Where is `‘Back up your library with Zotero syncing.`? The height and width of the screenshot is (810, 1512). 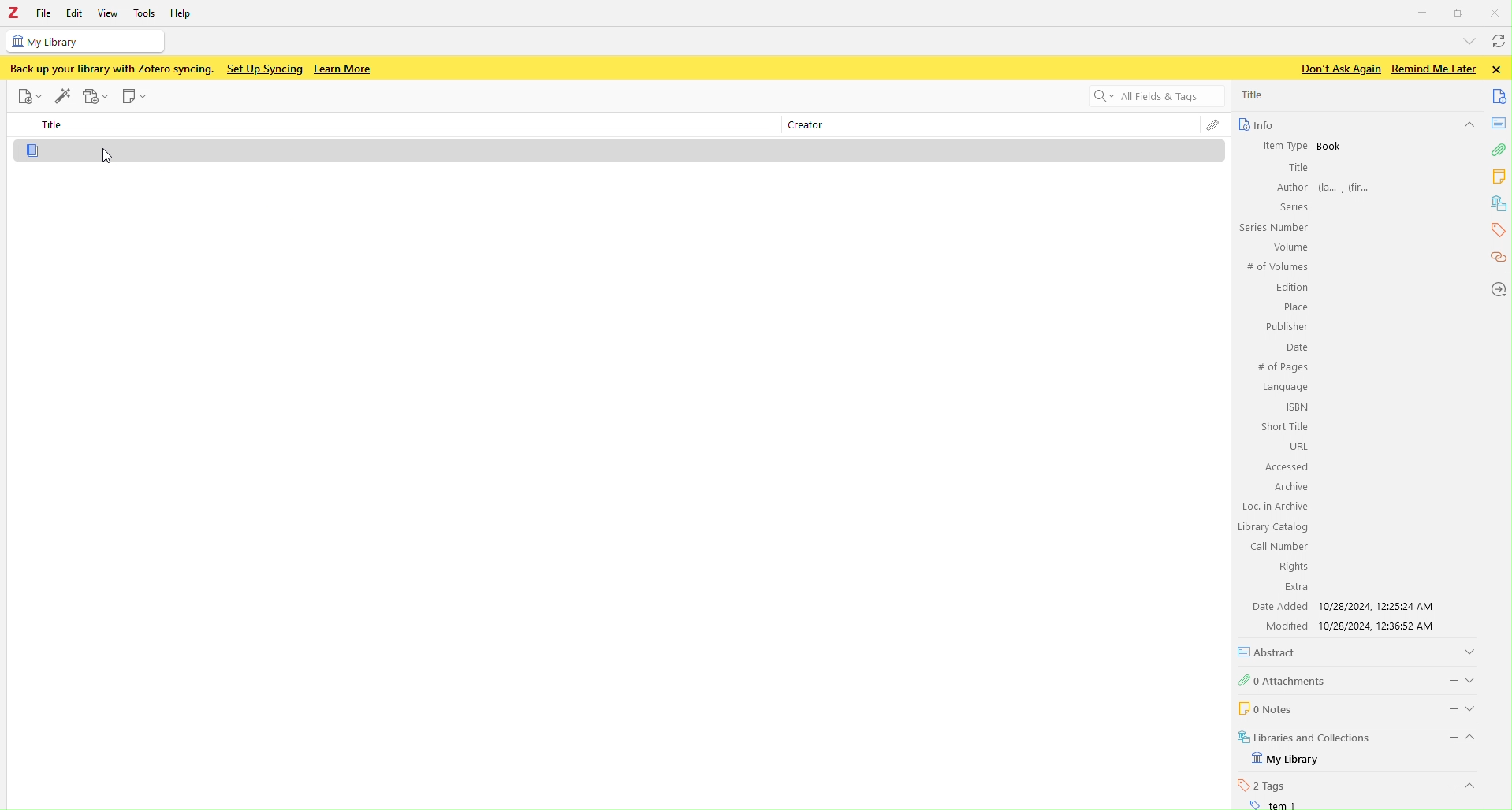 ‘Back up your library with Zotero syncing. is located at coordinates (110, 69).